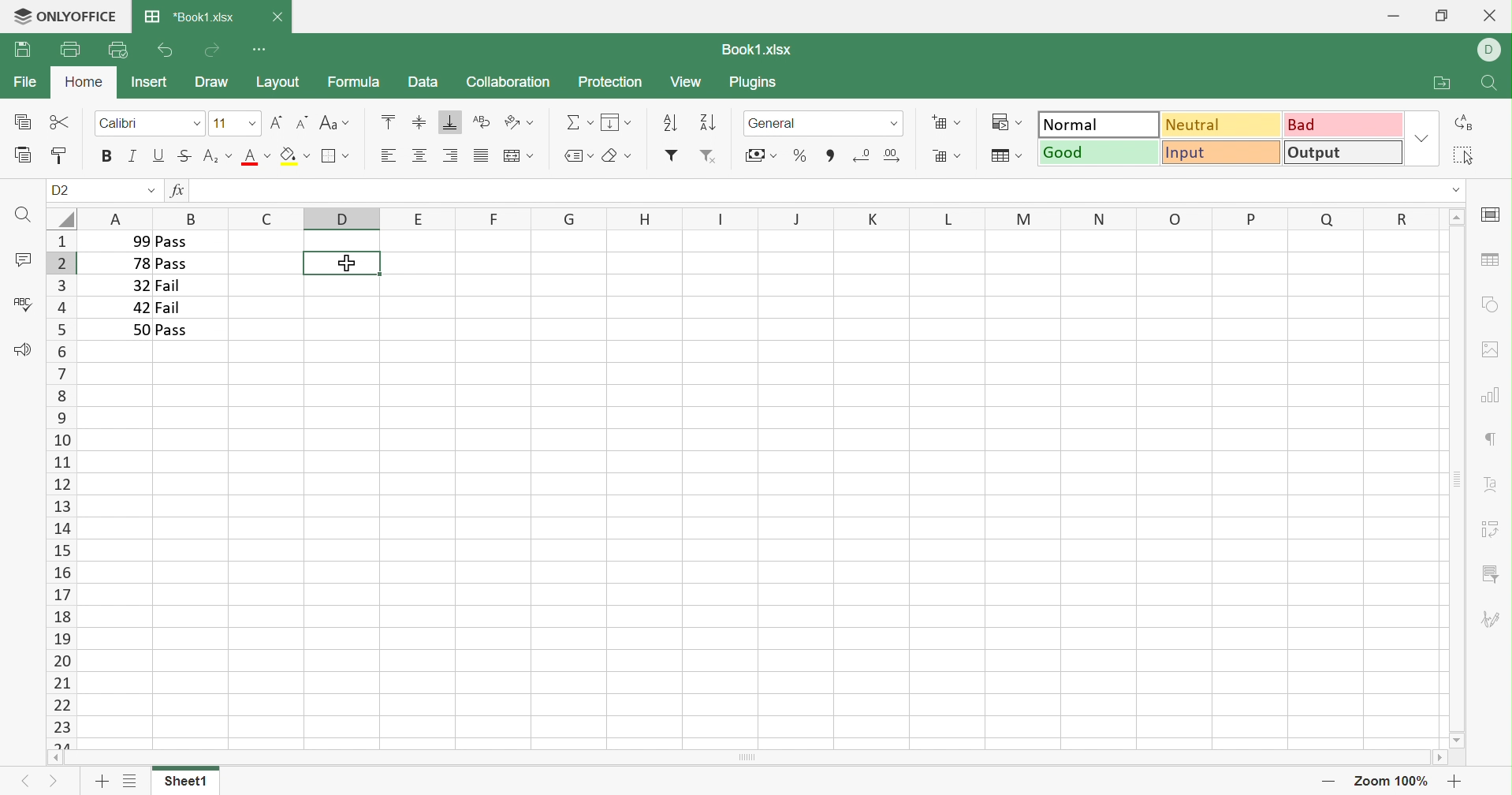 Image resolution: width=1512 pixels, height=795 pixels. I want to click on 99, so click(136, 241).